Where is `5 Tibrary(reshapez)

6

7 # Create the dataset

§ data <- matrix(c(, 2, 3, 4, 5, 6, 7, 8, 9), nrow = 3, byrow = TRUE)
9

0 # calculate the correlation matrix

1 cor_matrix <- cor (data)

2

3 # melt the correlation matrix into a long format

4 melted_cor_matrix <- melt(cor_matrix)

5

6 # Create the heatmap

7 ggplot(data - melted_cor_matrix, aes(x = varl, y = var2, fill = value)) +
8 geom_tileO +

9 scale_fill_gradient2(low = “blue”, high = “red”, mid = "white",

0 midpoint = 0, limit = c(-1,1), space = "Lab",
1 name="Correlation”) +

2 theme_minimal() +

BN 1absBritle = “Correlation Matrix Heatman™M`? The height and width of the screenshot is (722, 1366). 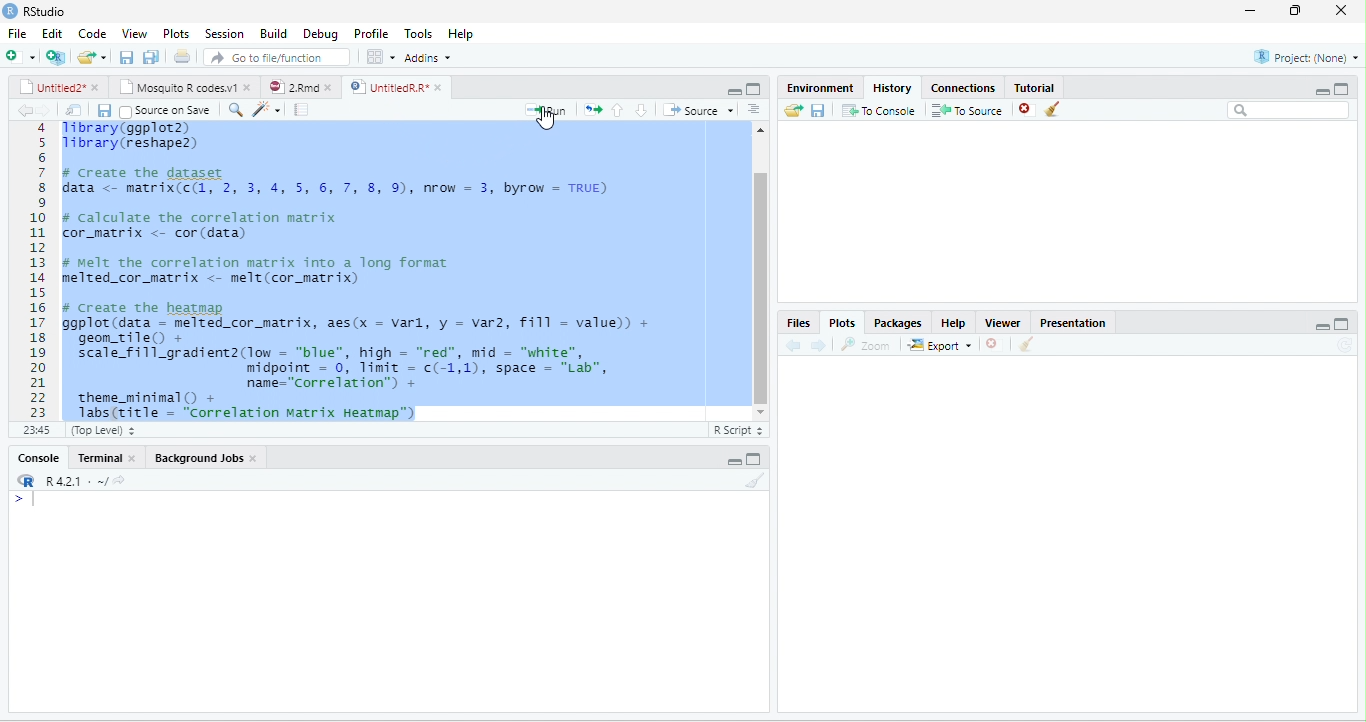 5 Tibrary(reshapez)

6

7 # Create the dataset

§ data <- matrix(c(, 2, 3, 4, 5, 6, 7, 8, 9), nrow = 3, byrow = TRUE)
9

0 # calculate the correlation matrix

1 cor_matrix <- cor (data)

2

3 # melt the correlation matrix into a long format

4 melted_cor_matrix <- melt(cor_matrix)

5

6 # Create the heatmap

7 ggplot(data - melted_cor_matrix, aes(x = varl, y = var2, fill = value)) +
8 geom_tileO +

9 scale_fill_gradient2(low = “blue”, high = “red”, mid = "white",

0 midpoint = 0, limit = c(-1,1), space = "Lab",
1 name="Correlation”) +

2 theme_minimal() +

BN 1absBritle = “Correlation Matrix Heatman™M is located at coordinates (365, 268).